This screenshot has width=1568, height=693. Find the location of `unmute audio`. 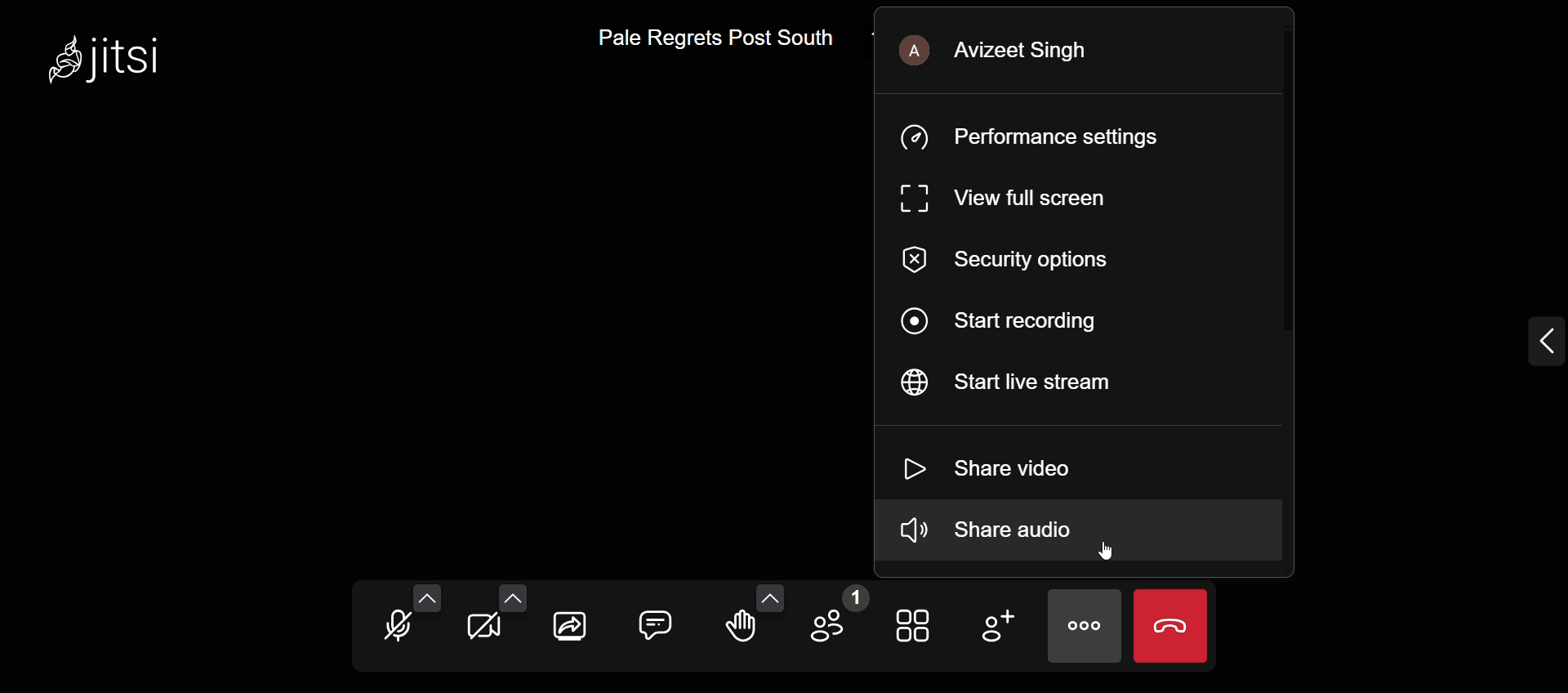

unmute audio is located at coordinates (394, 626).